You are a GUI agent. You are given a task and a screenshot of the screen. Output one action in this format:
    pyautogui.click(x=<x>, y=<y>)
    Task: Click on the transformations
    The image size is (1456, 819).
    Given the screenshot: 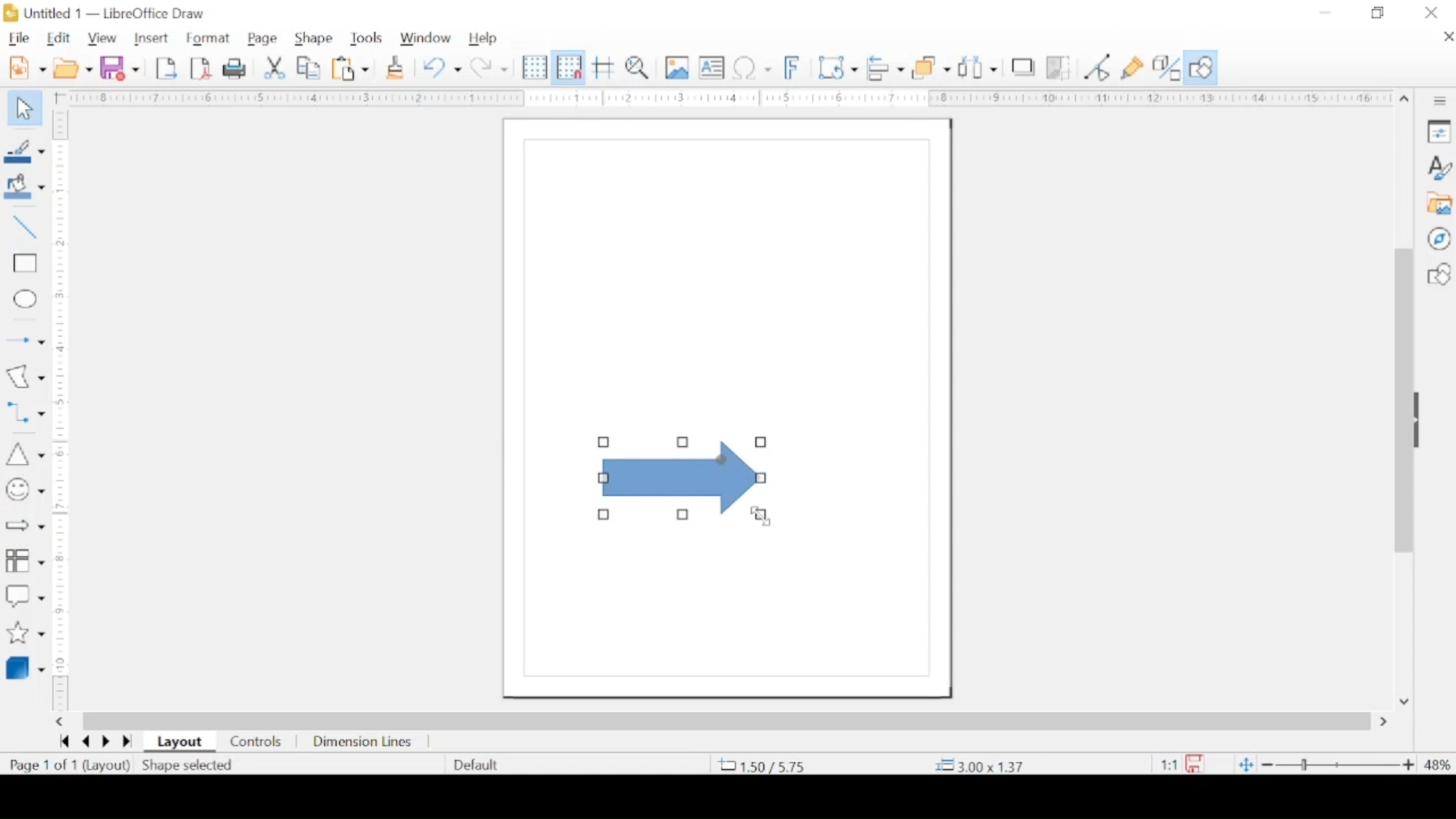 What is the action you would take?
    pyautogui.click(x=837, y=67)
    